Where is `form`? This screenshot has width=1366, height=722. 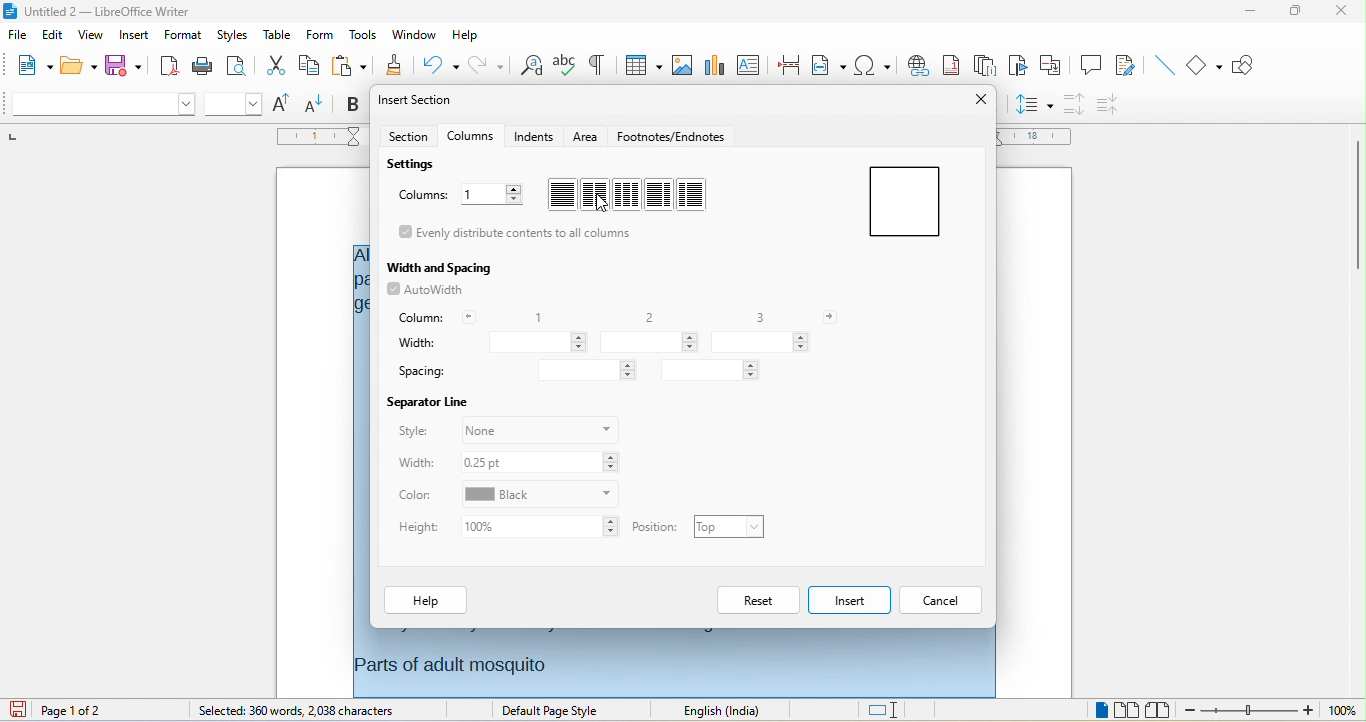
form is located at coordinates (318, 33).